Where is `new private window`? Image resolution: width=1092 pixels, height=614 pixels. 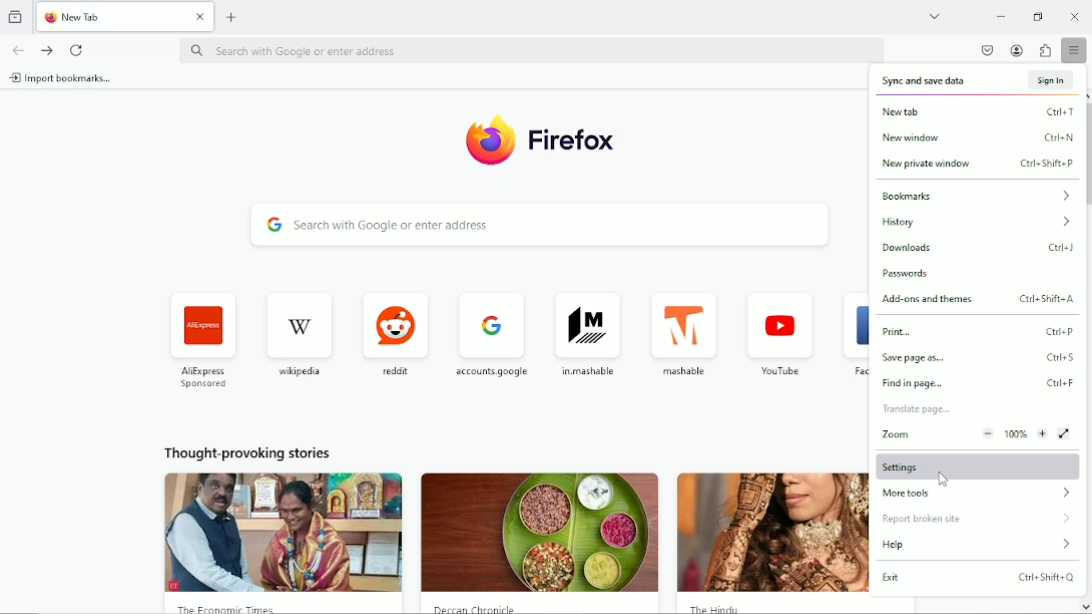
new private window is located at coordinates (976, 164).